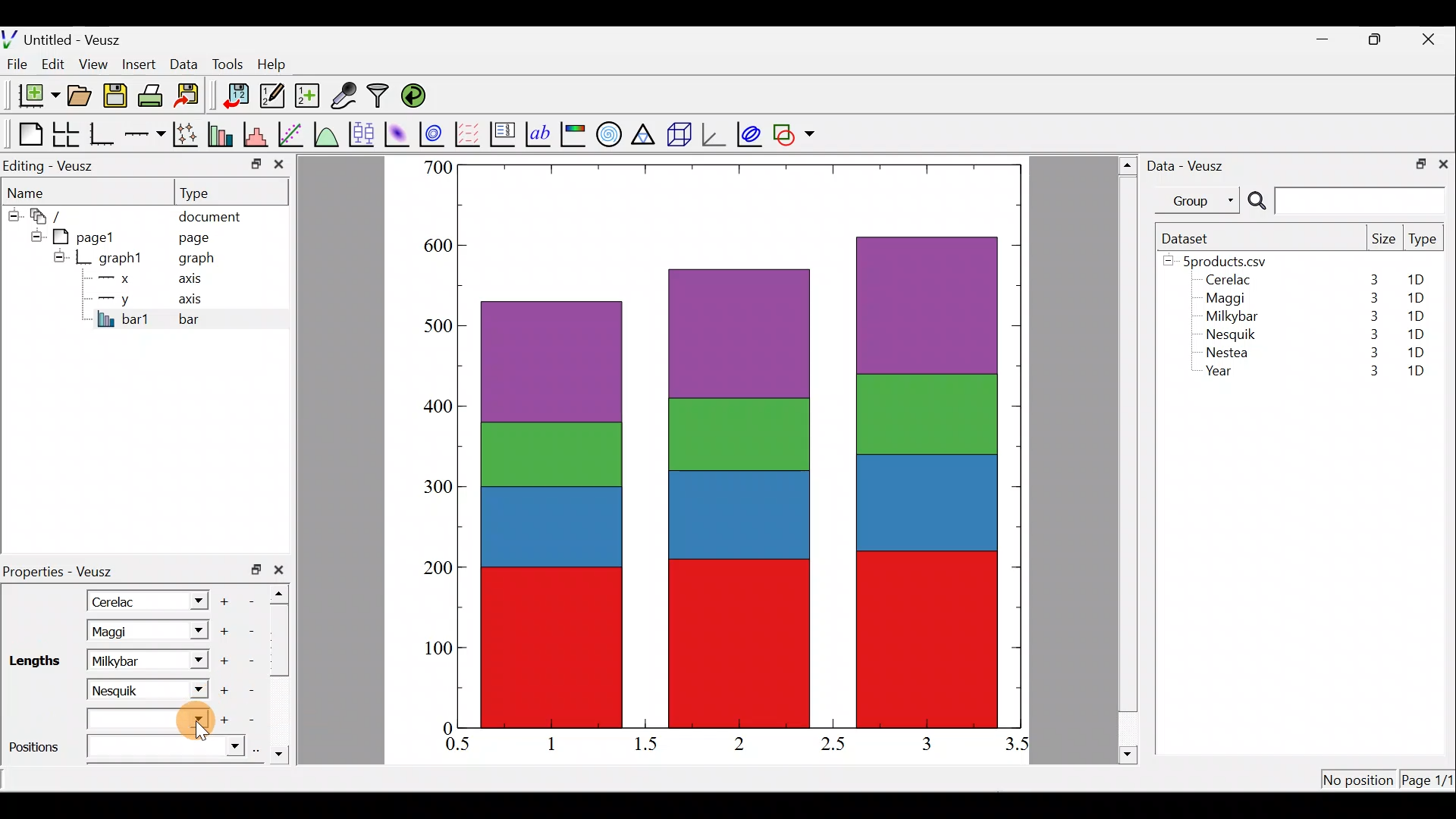  I want to click on 3, so click(1371, 316).